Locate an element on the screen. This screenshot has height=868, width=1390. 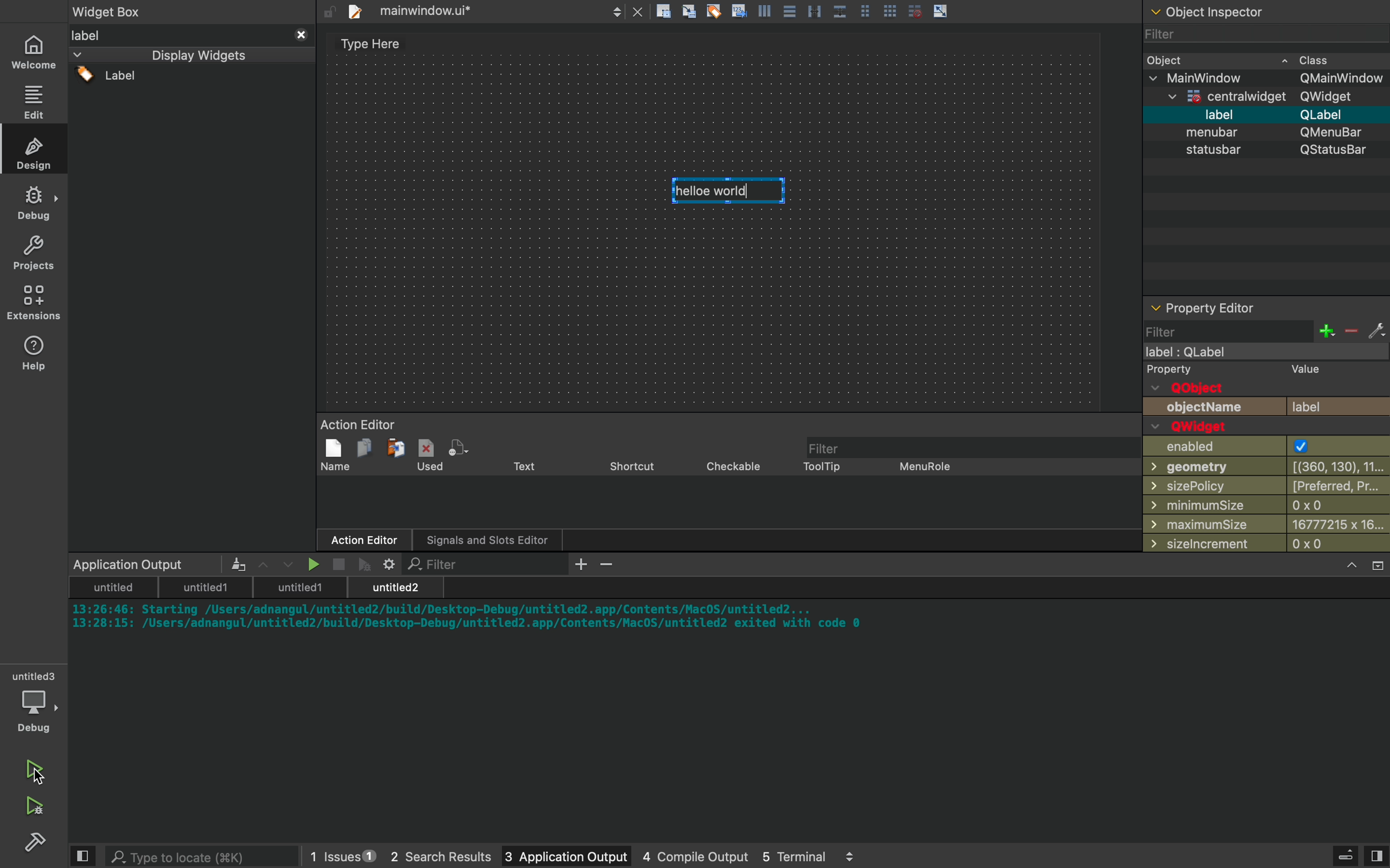
hello world is located at coordinates (731, 188).